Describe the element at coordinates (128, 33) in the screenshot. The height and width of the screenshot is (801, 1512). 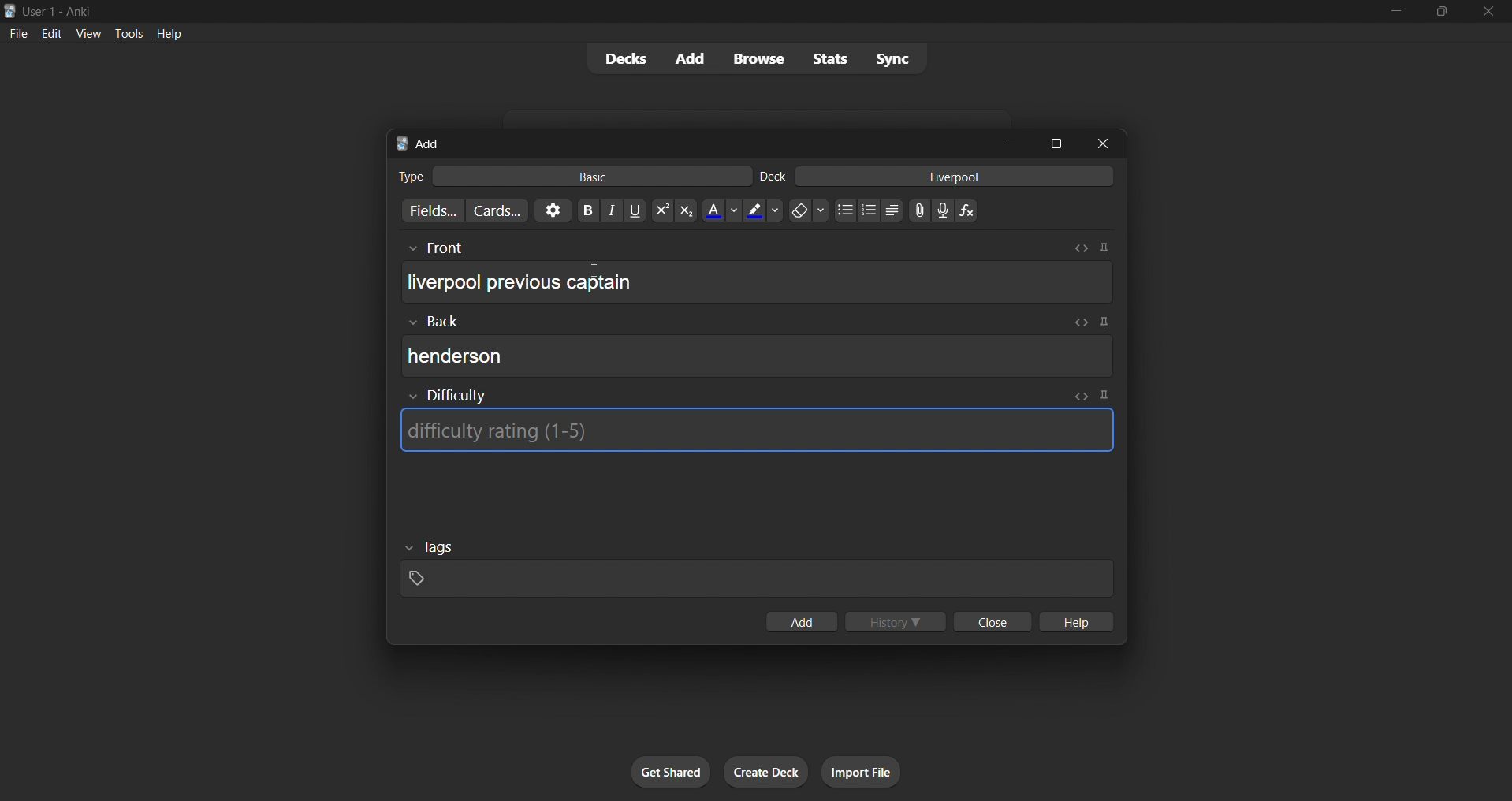
I see `tools` at that location.